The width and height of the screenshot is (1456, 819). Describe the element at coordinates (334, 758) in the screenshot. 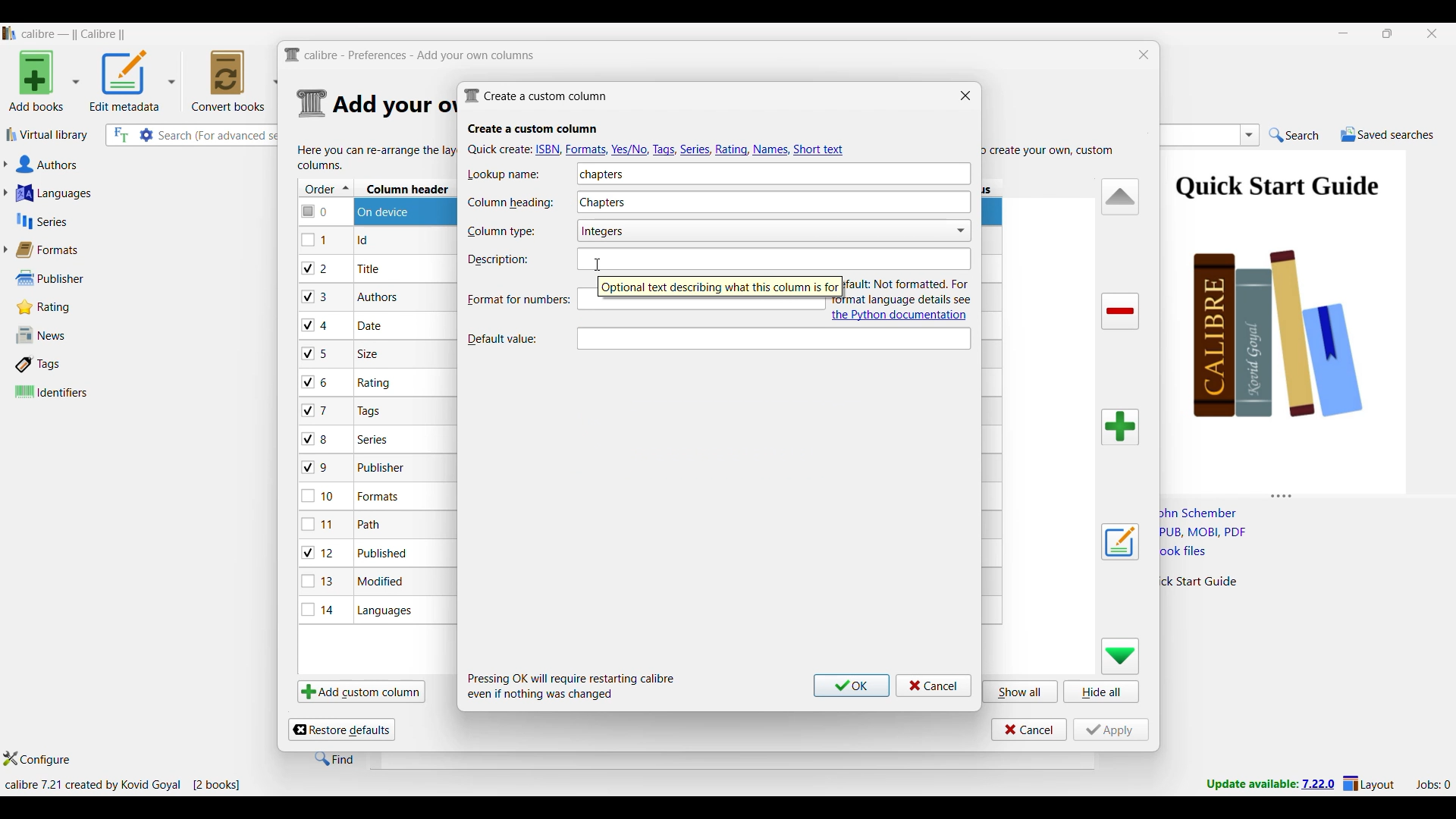

I see `Find` at that location.